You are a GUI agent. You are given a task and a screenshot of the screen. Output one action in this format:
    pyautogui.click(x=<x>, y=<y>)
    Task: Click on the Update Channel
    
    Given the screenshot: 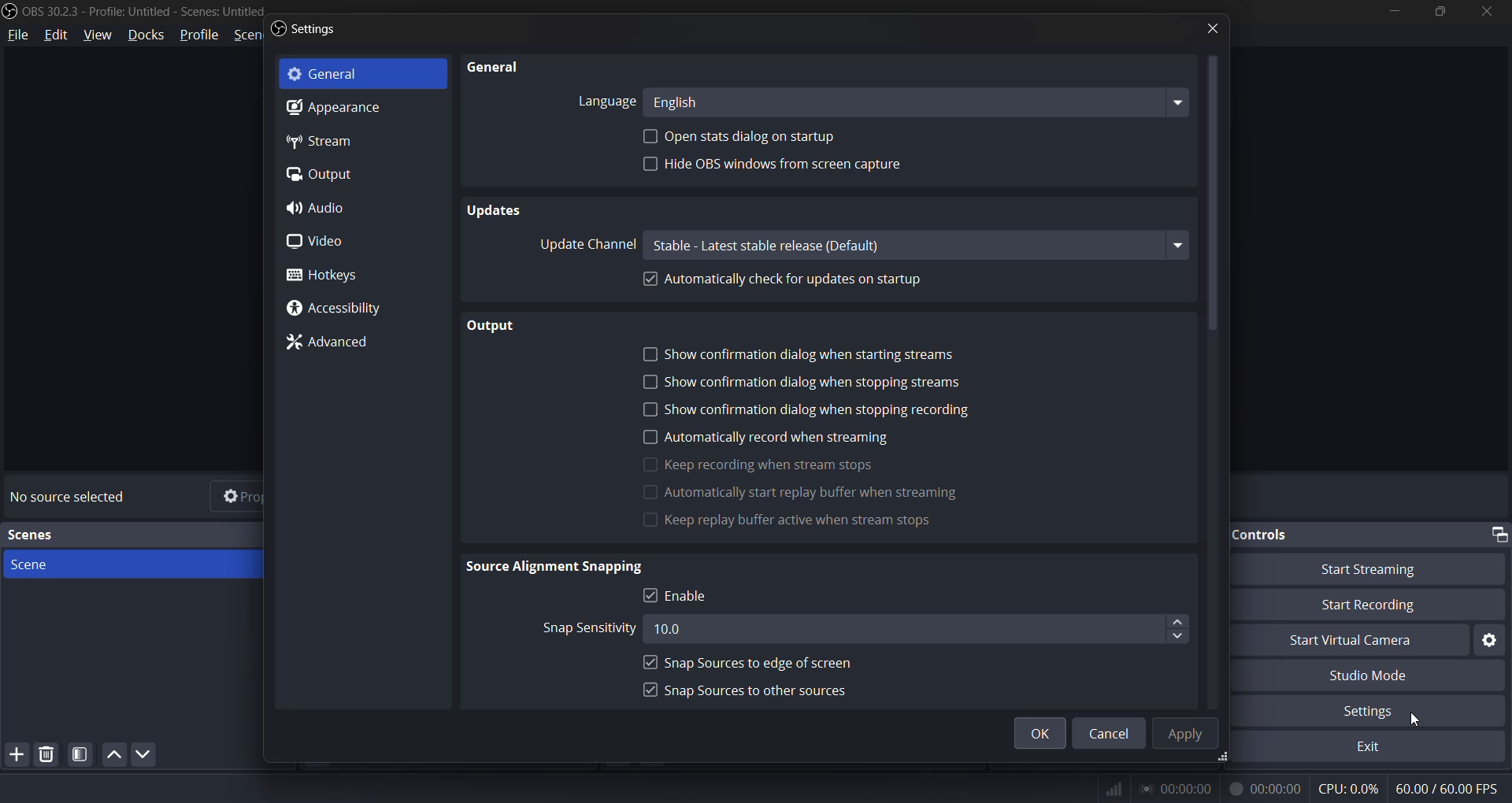 What is the action you would take?
    pyautogui.click(x=584, y=244)
    